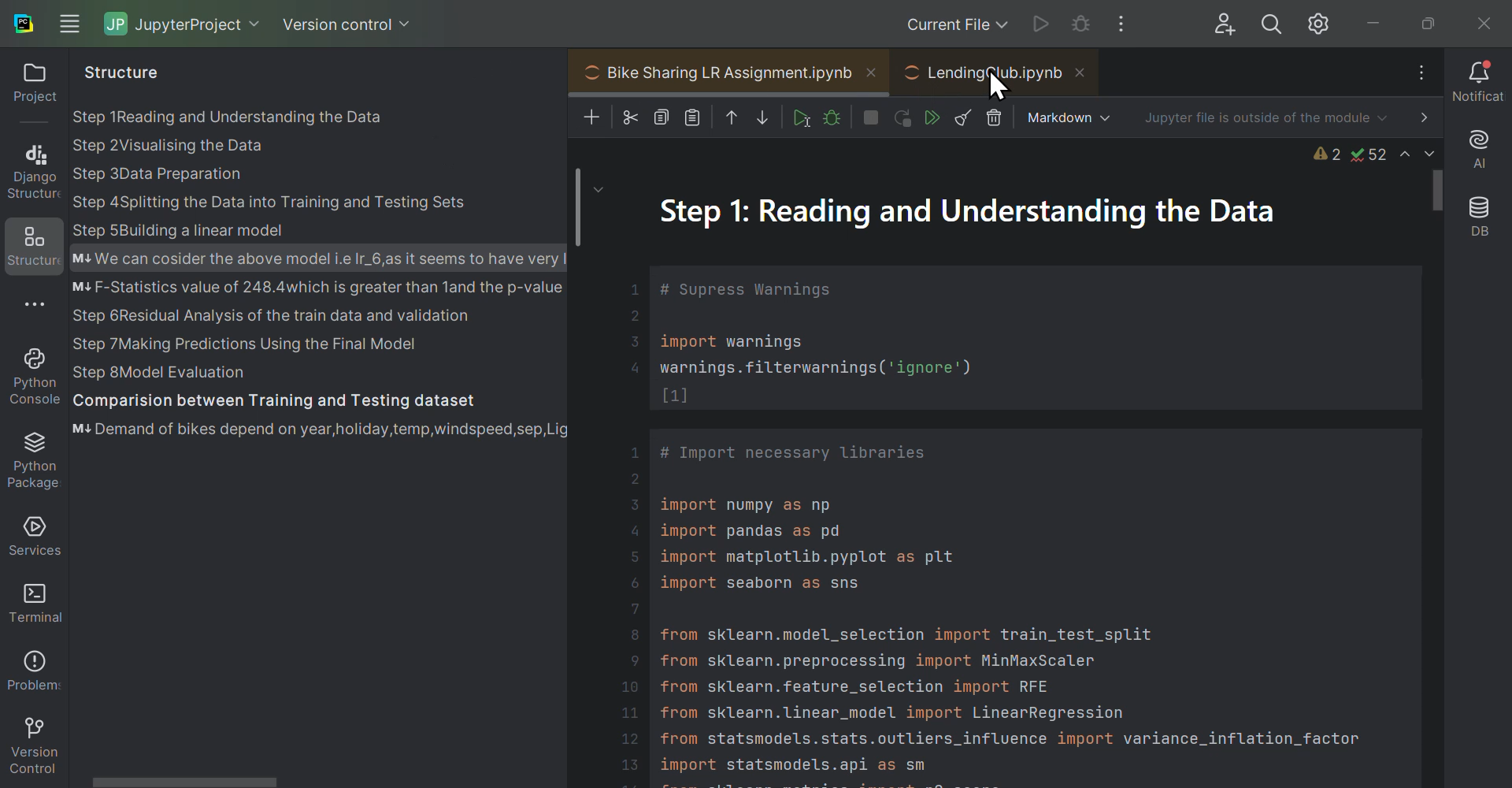 The height and width of the screenshot is (788, 1512). I want to click on Move up, so click(732, 119).